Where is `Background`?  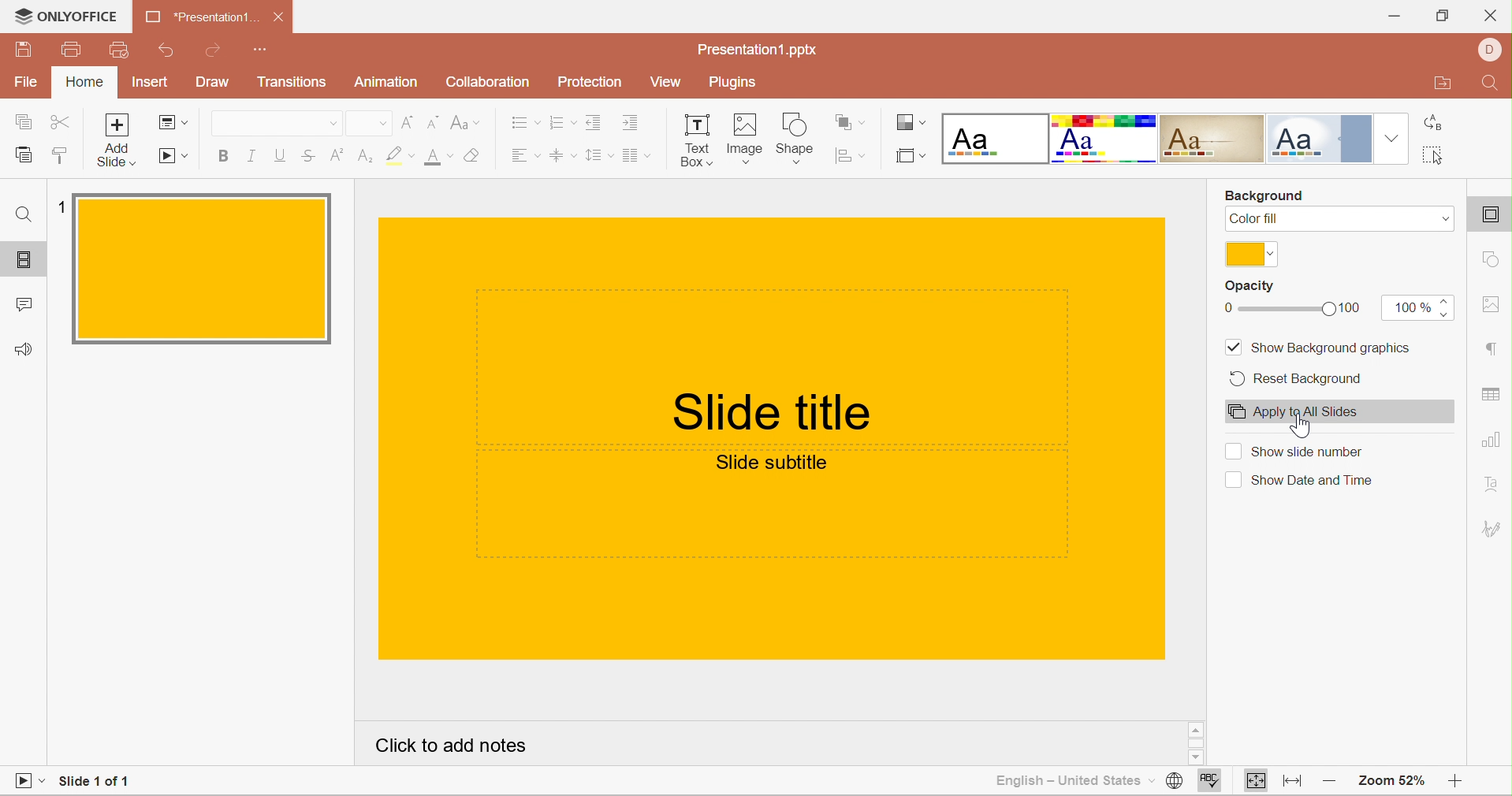
Background is located at coordinates (1266, 197).